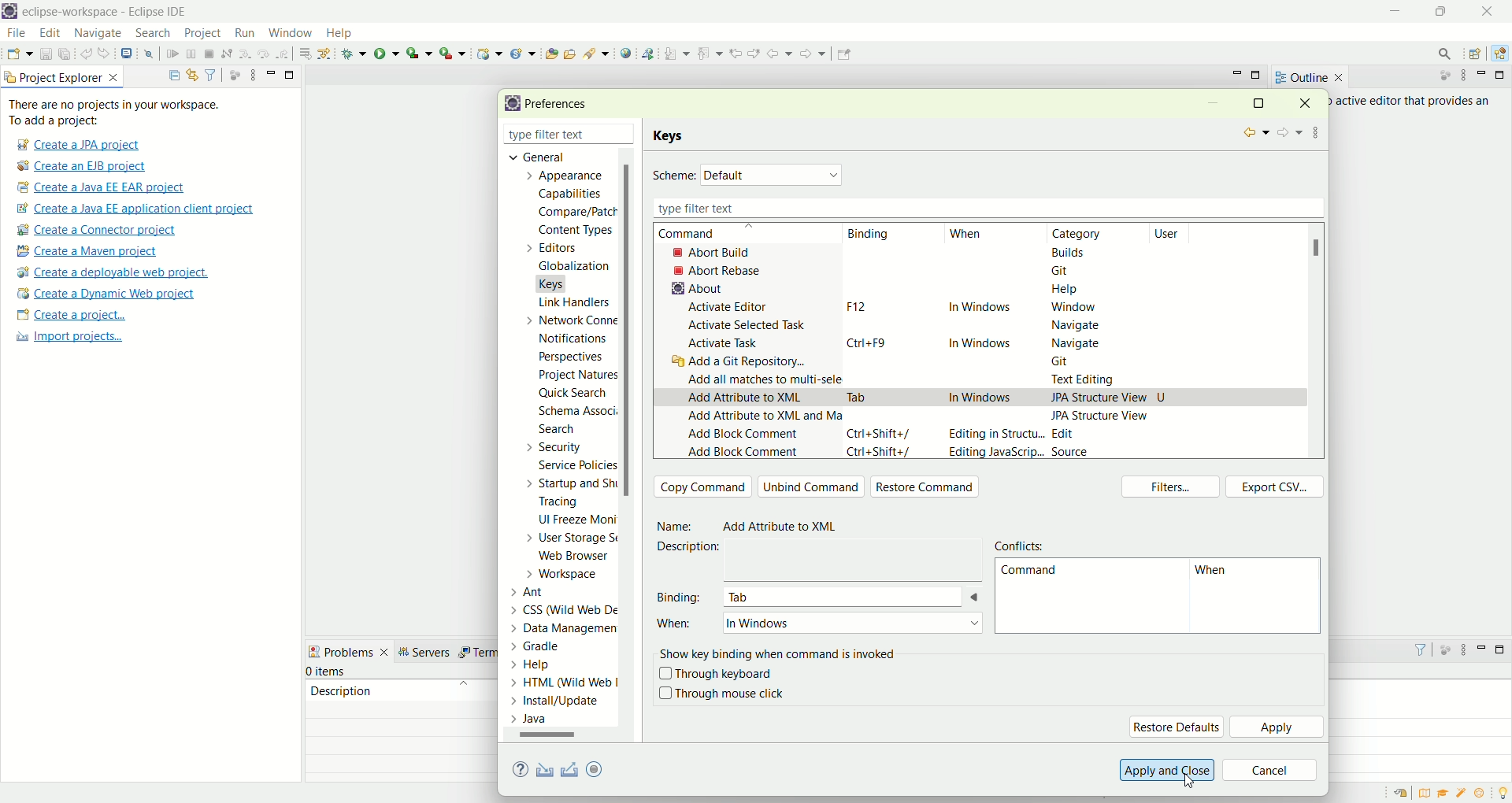  Describe the element at coordinates (1443, 794) in the screenshot. I see `tutorials` at that location.